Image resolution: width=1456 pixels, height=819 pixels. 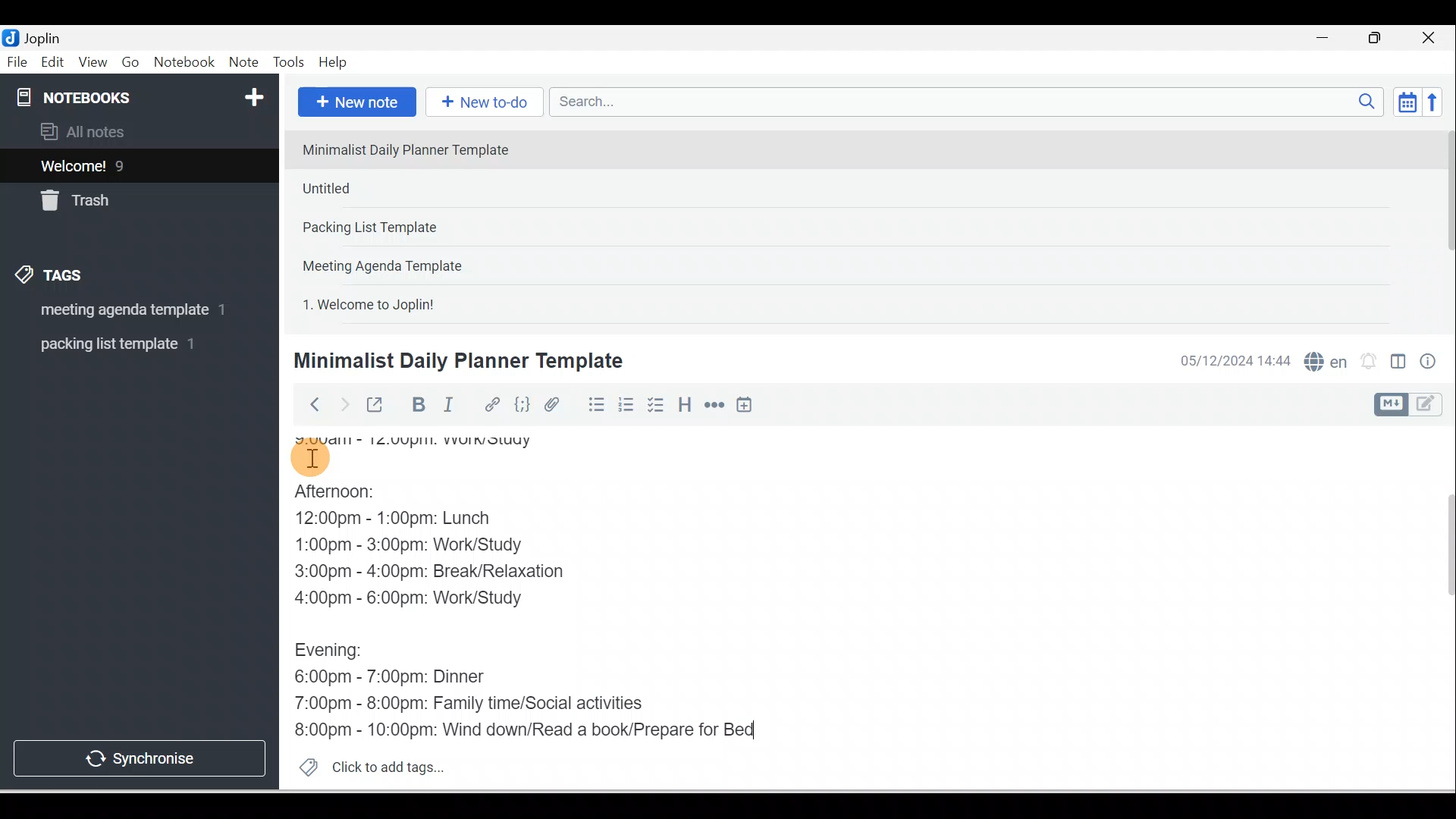 I want to click on Italic, so click(x=451, y=407).